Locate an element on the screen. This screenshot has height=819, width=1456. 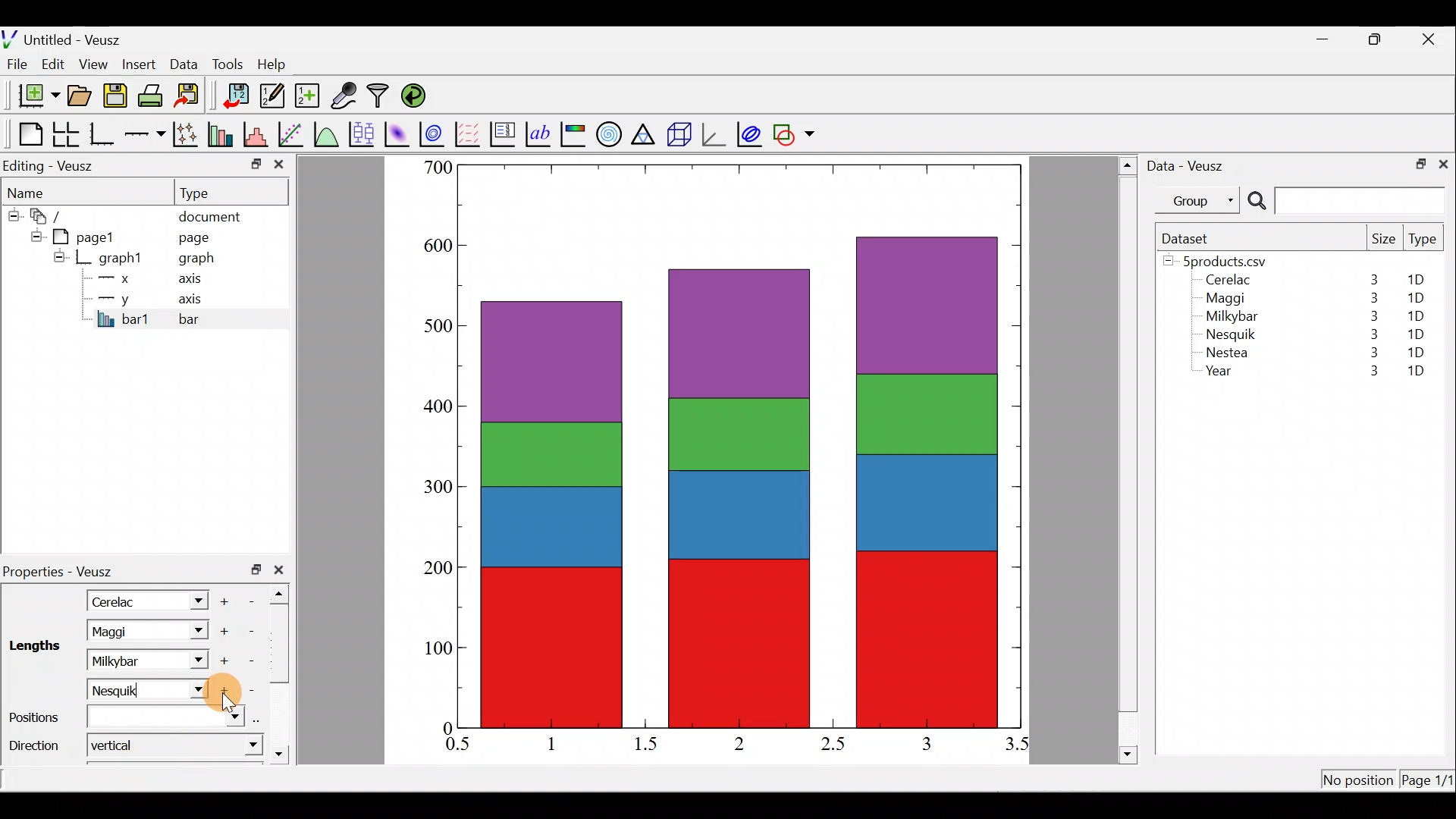
Base graph is located at coordinates (103, 134).